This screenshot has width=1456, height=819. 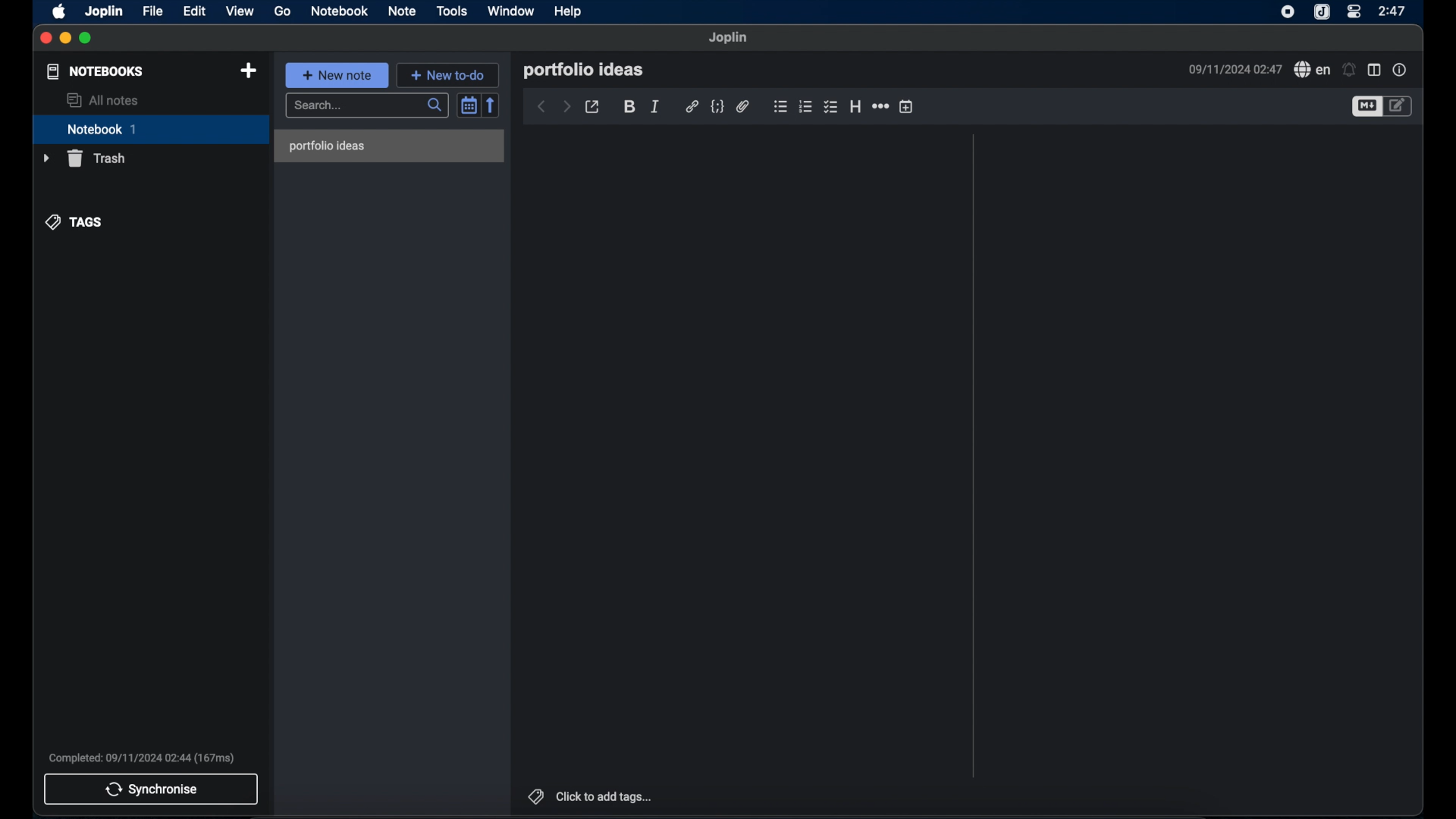 I want to click on toggle editor, so click(x=1365, y=107).